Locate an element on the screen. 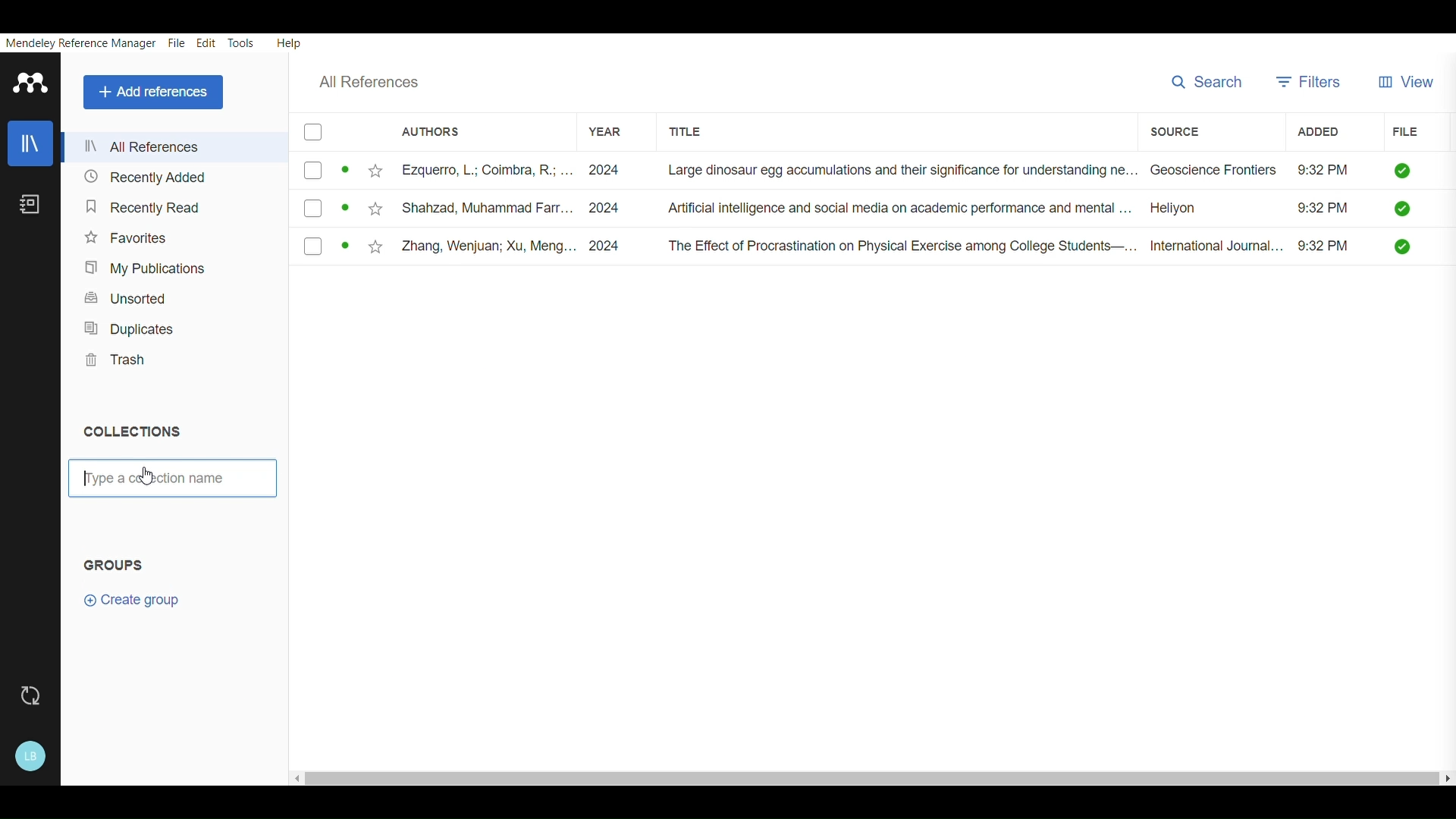 The image size is (1456, 819). Ezquerro, L.; Coimbra, R.; .. is located at coordinates (466, 172).